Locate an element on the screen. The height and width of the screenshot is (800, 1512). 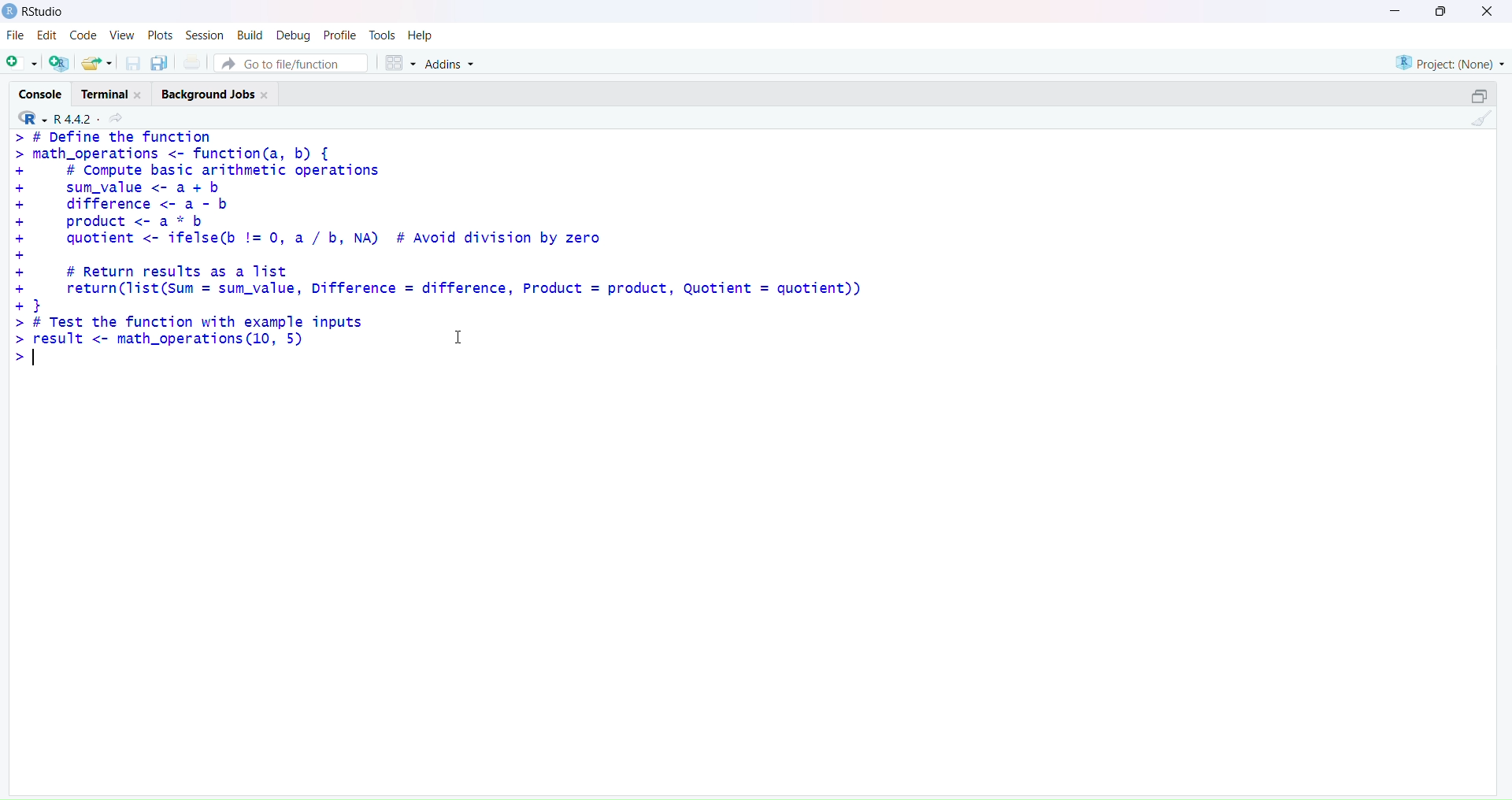
Help is located at coordinates (423, 35).